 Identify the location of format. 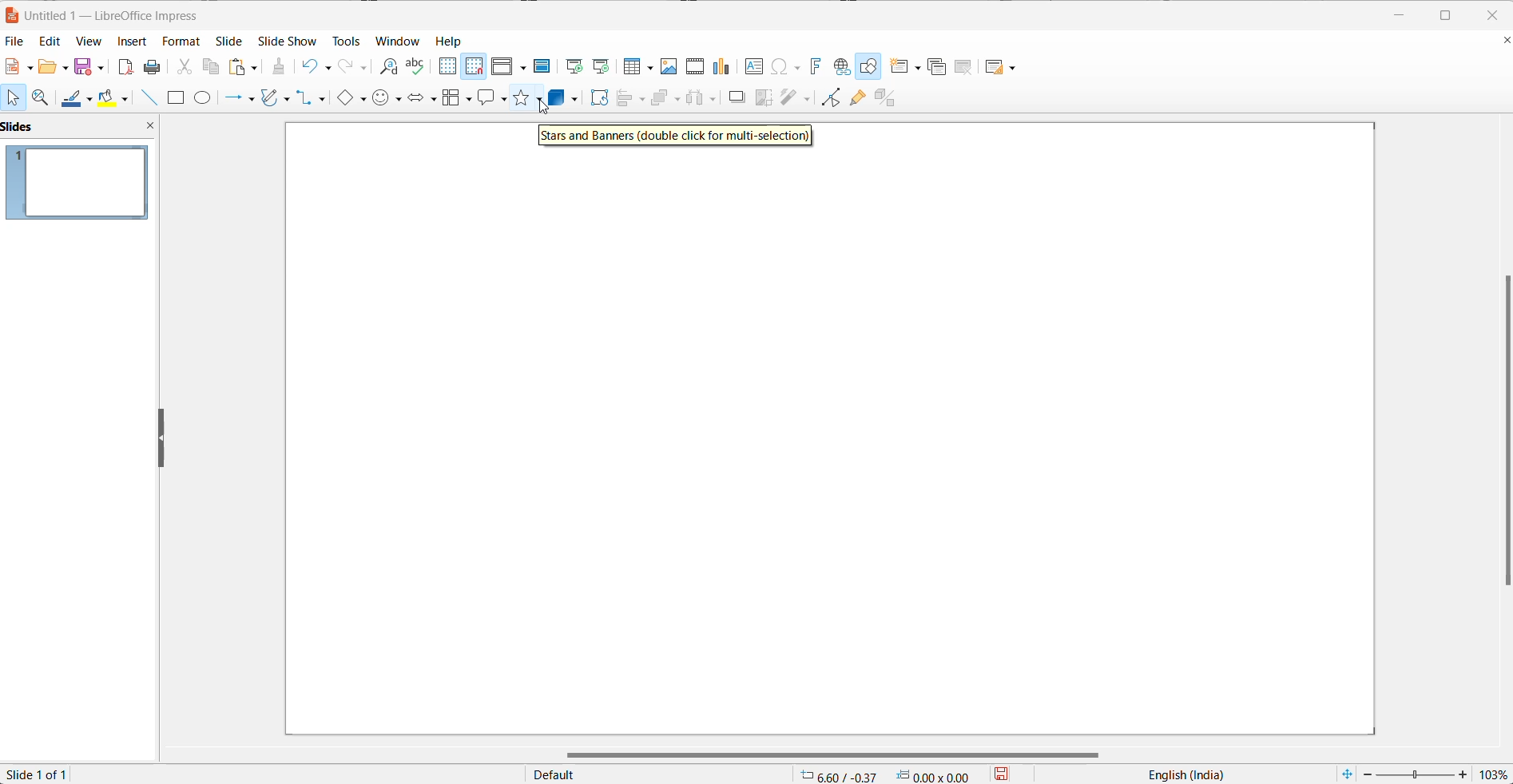
(182, 41).